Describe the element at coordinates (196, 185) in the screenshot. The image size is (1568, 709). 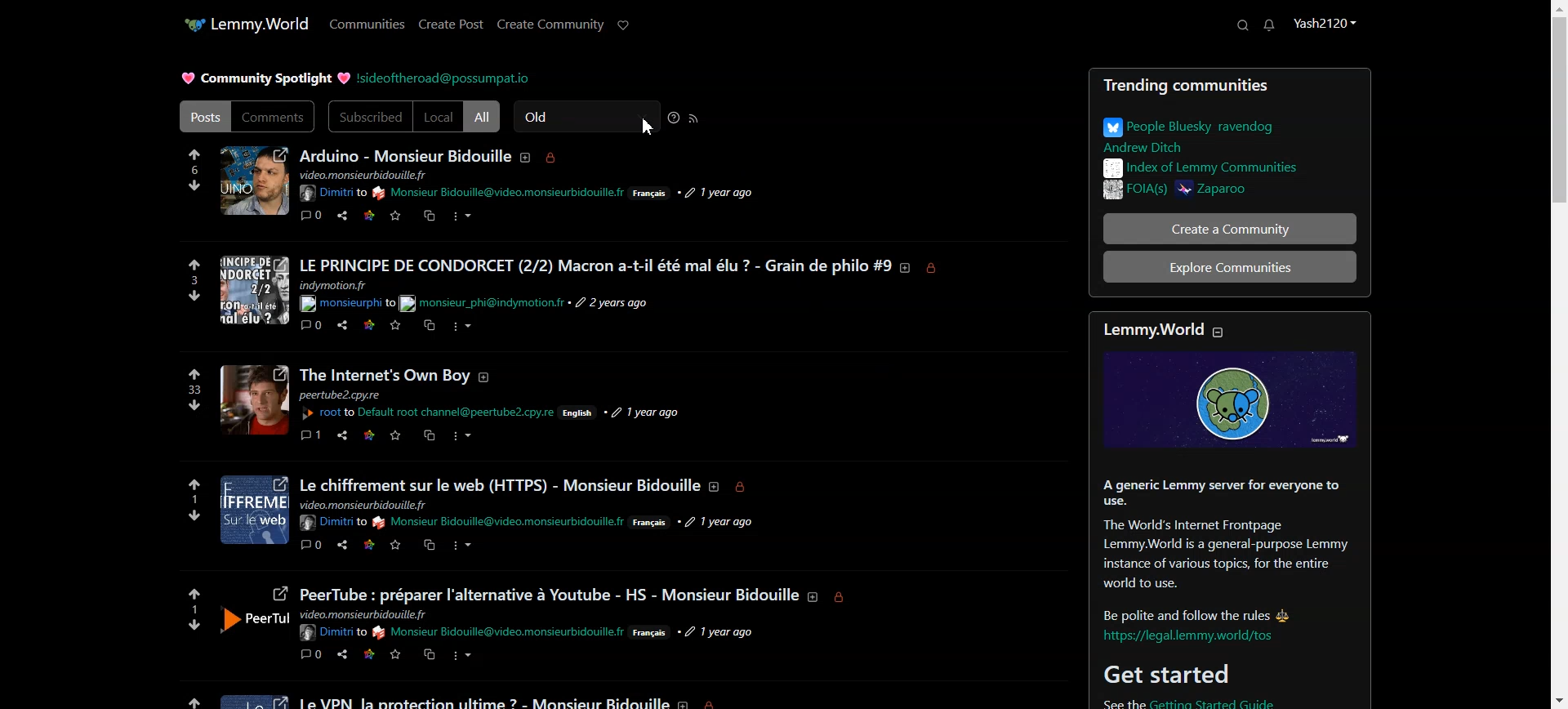
I see `Downvote` at that location.